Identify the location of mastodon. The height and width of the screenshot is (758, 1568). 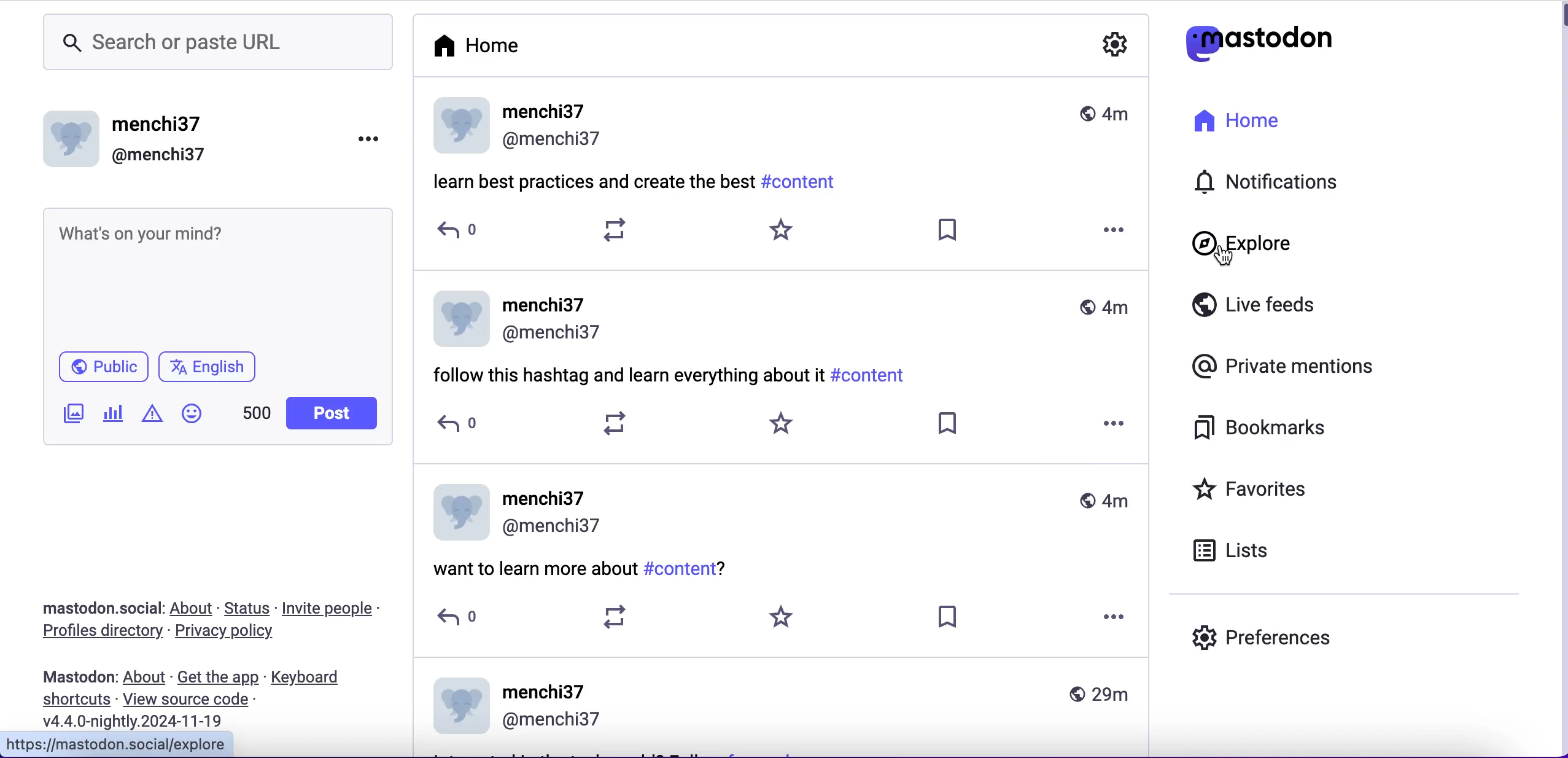
(79, 679).